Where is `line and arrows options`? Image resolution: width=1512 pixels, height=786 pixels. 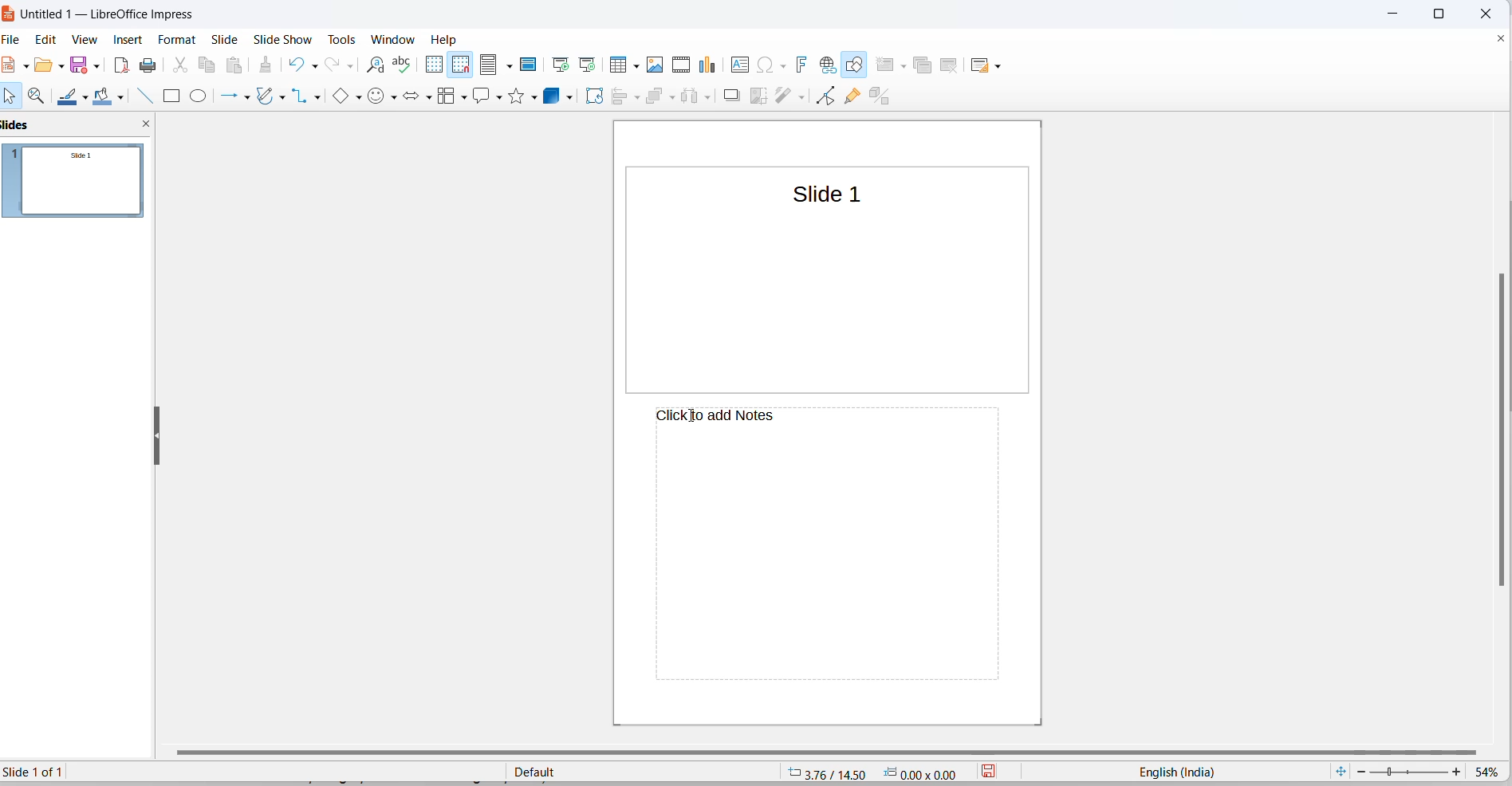
line and arrows options is located at coordinates (249, 98).